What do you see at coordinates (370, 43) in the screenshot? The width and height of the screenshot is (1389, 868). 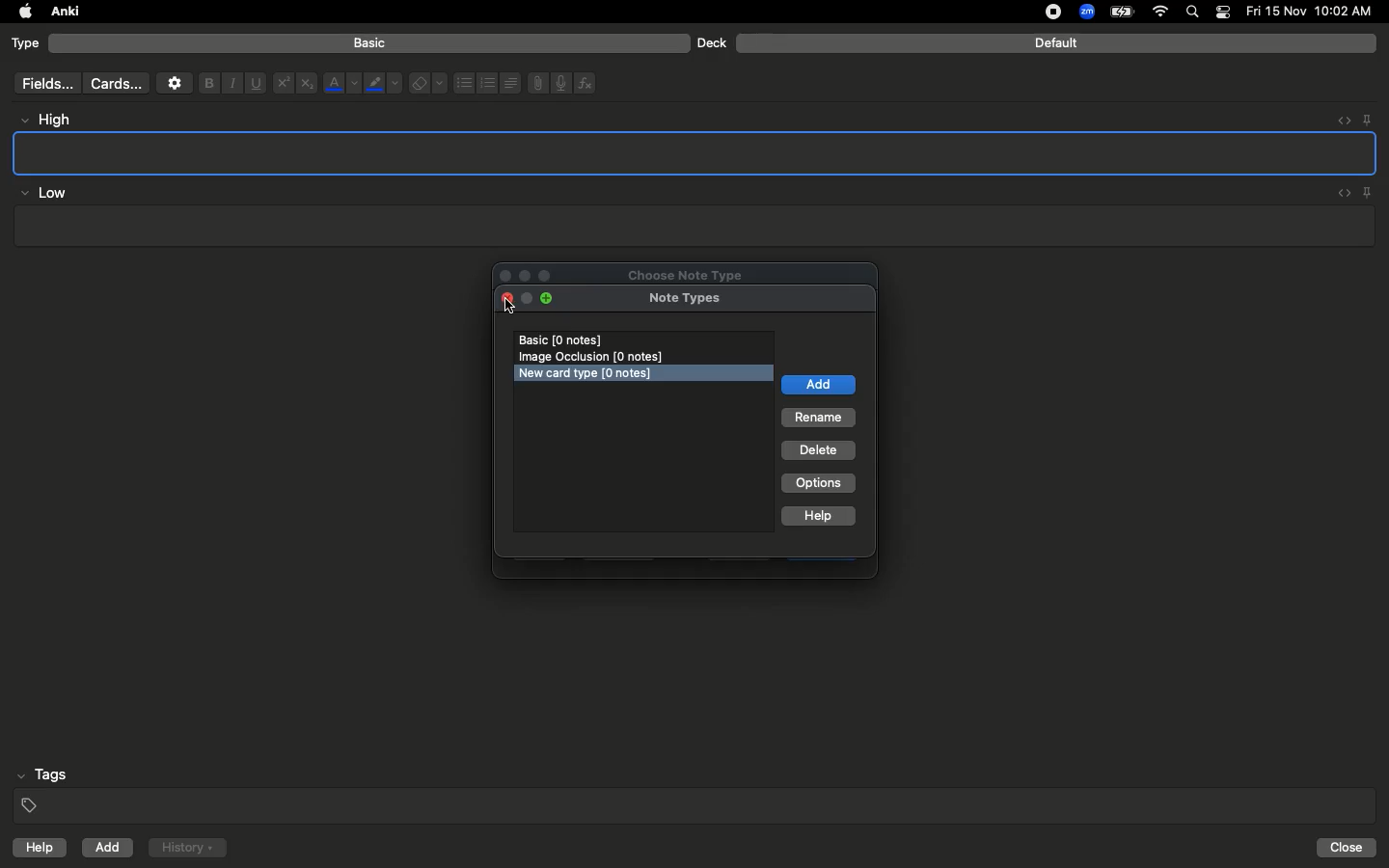 I see `Basic` at bounding box center [370, 43].